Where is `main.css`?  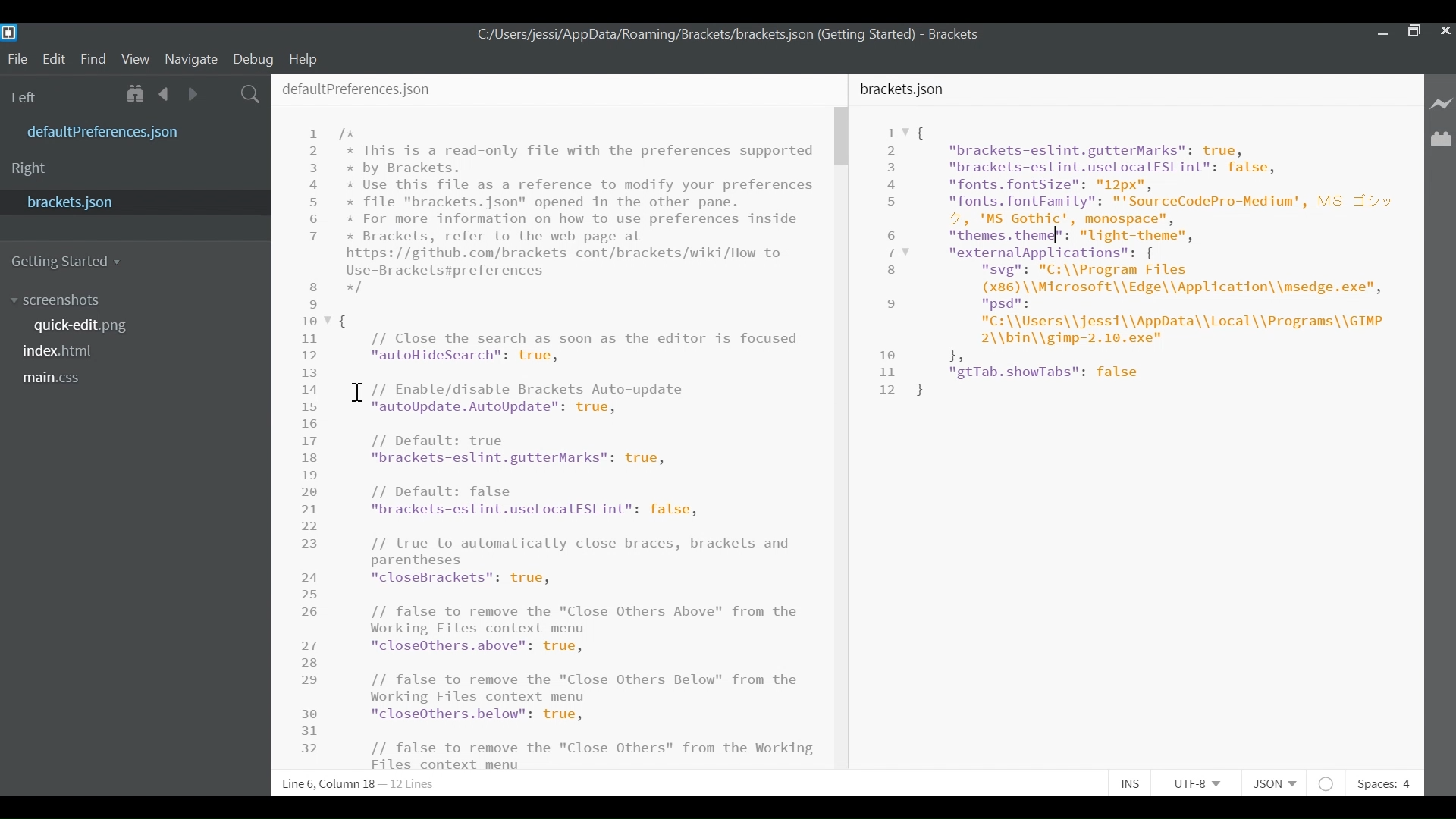 main.css is located at coordinates (53, 378).